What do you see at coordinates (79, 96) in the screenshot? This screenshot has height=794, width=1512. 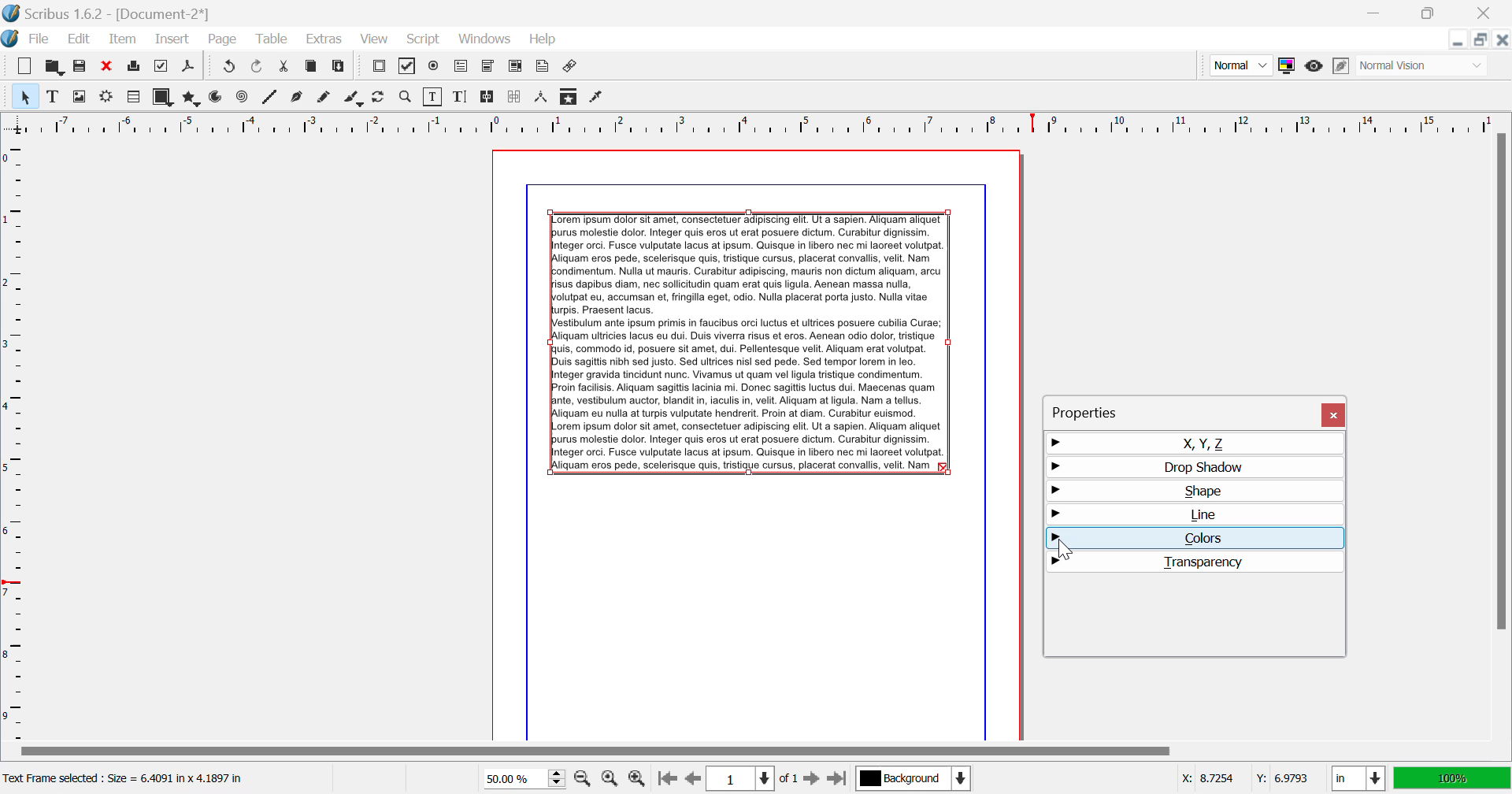 I see `Image Frame` at bounding box center [79, 96].